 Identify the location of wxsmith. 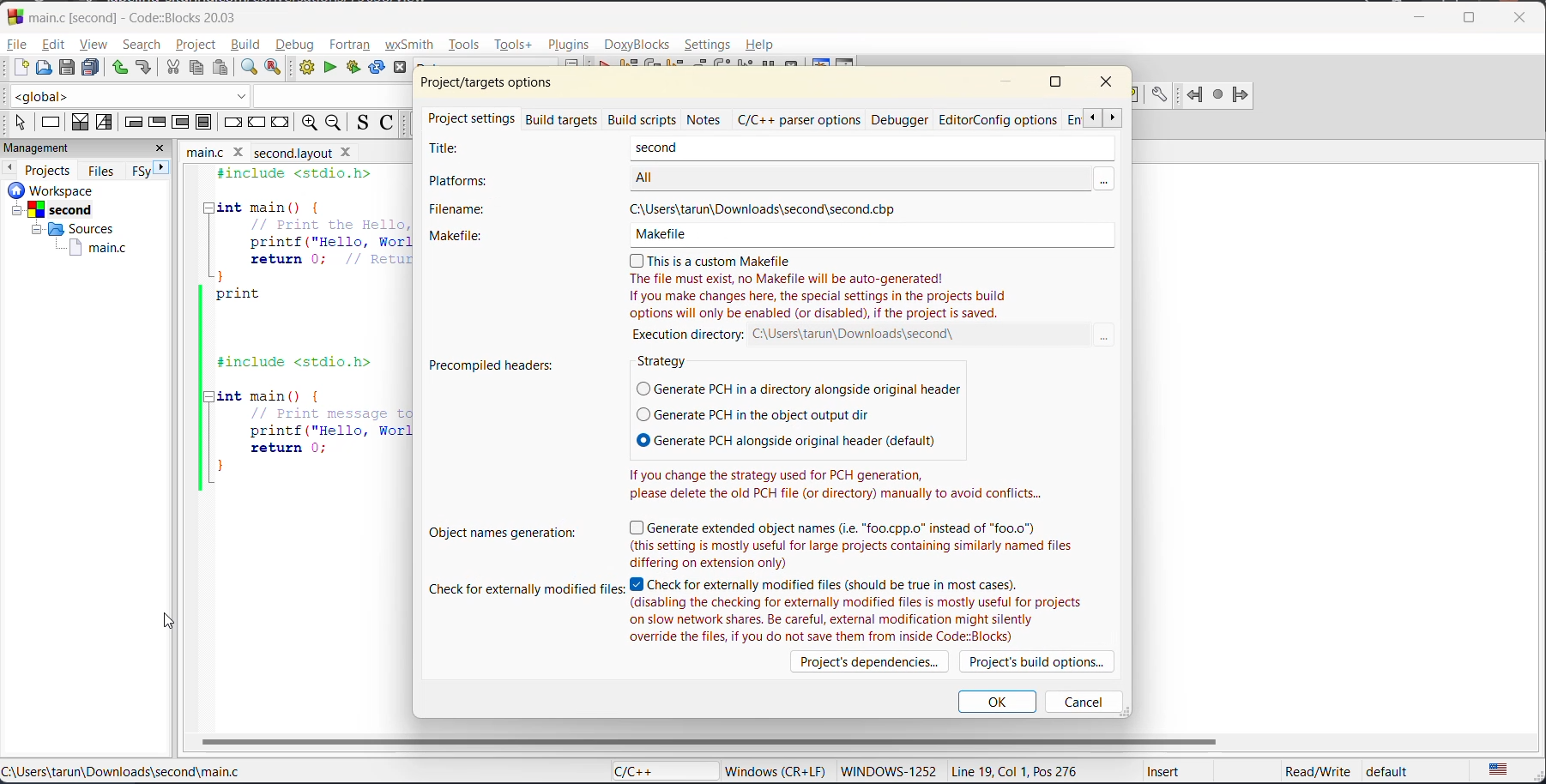
(413, 44).